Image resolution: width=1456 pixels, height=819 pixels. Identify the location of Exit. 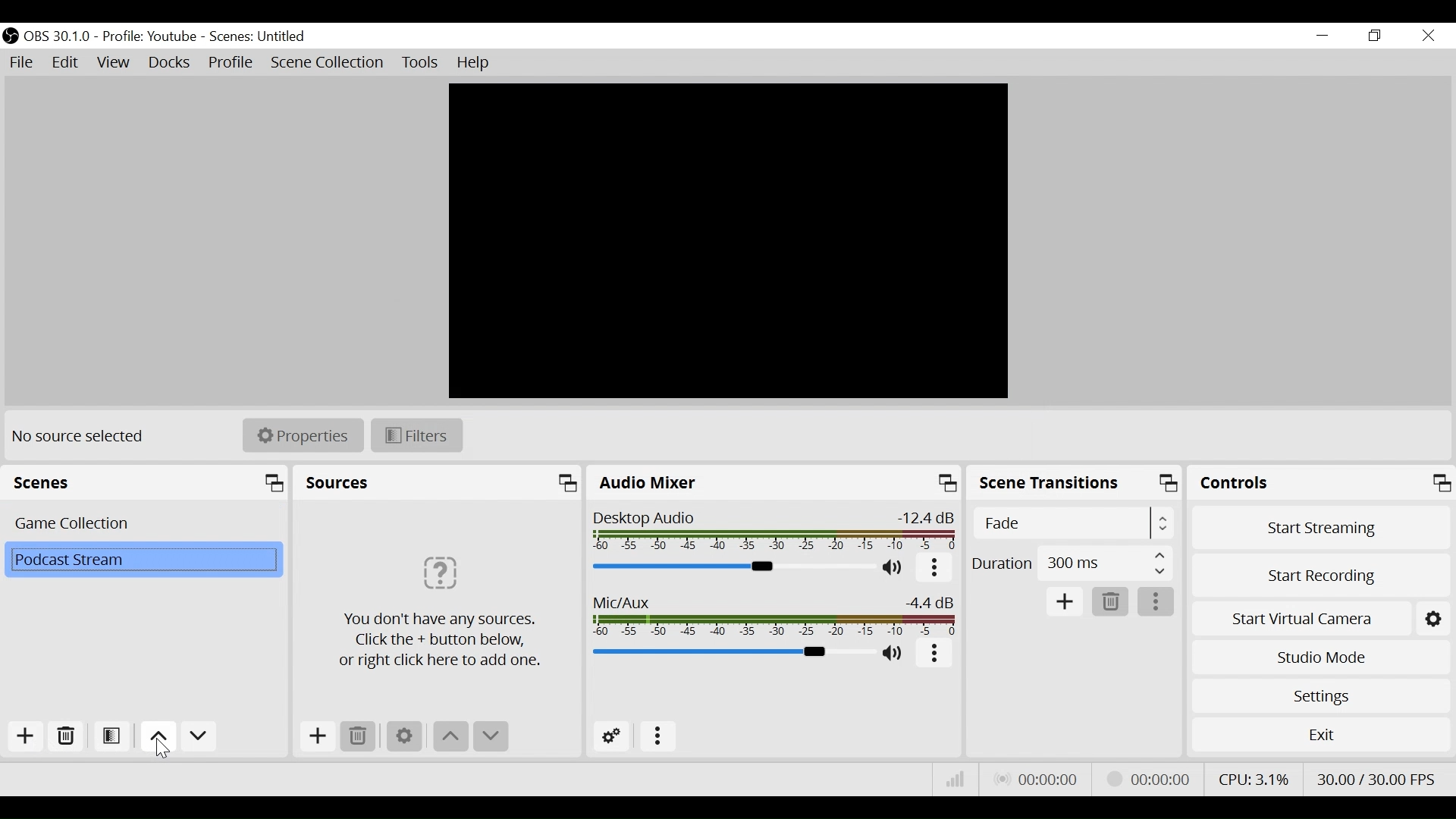
(1321, 734).